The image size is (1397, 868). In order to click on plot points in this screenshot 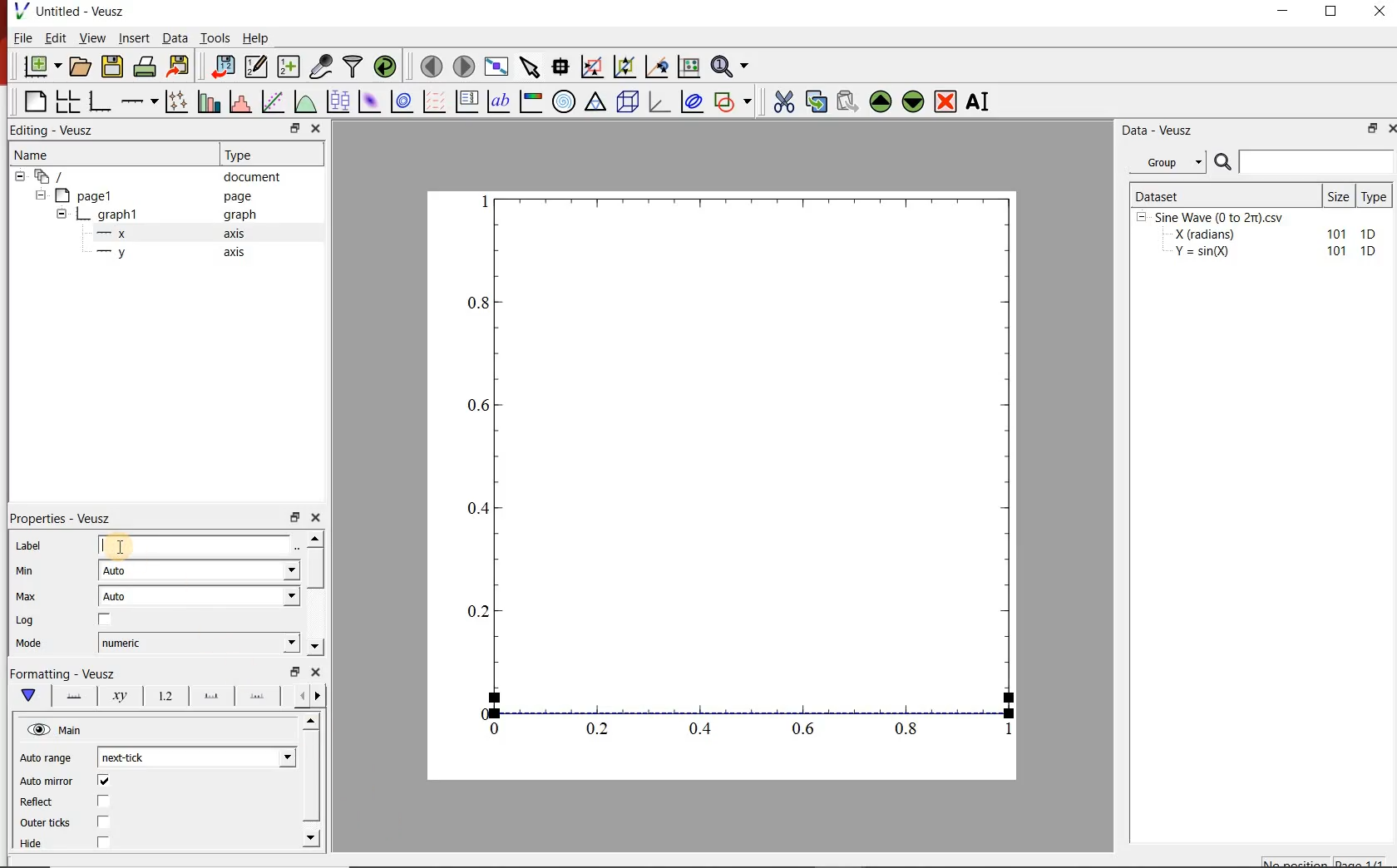, I will do `click(179, 101)`.